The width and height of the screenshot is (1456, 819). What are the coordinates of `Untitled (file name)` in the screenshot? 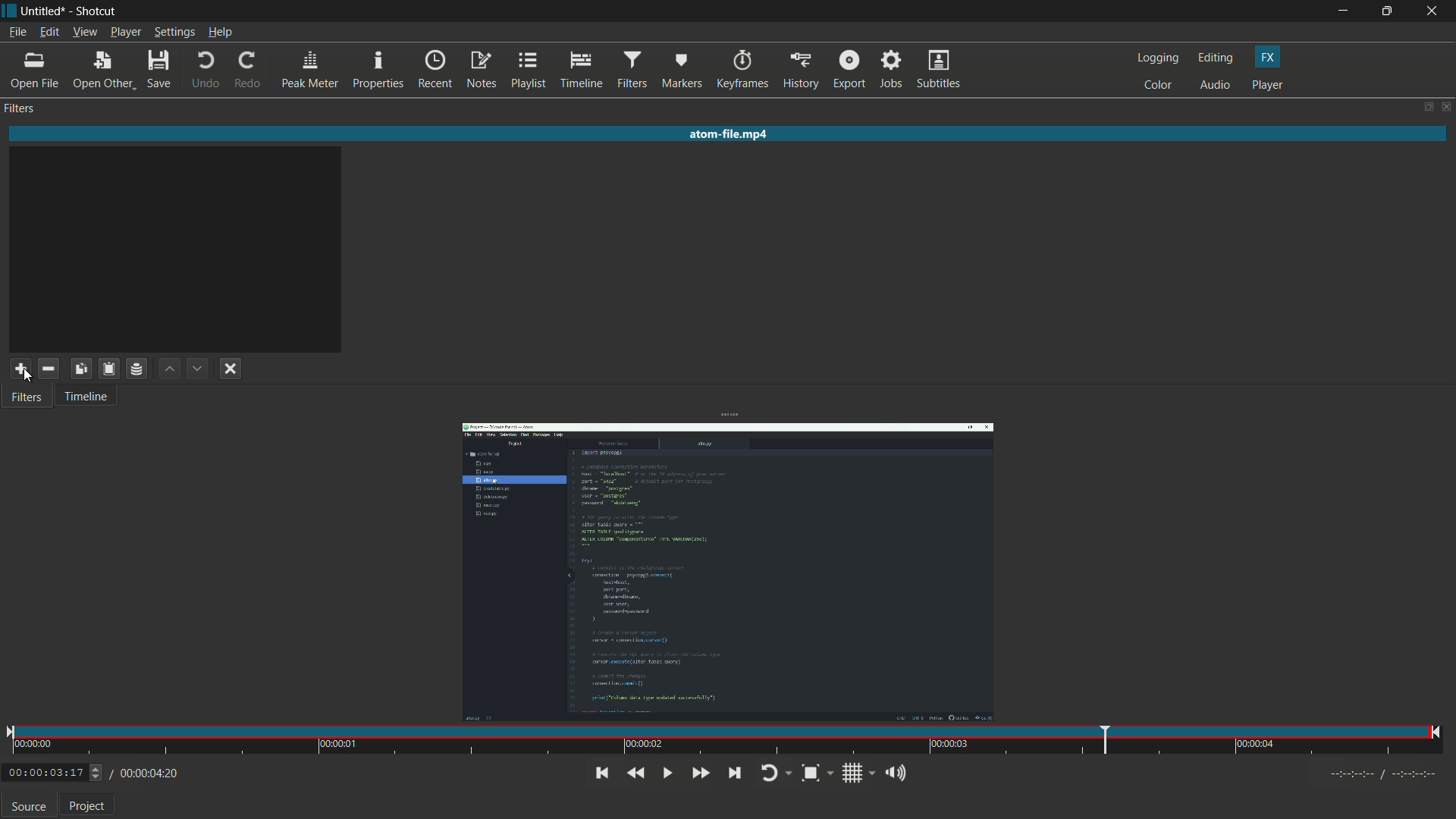 It's located at (44, 11).